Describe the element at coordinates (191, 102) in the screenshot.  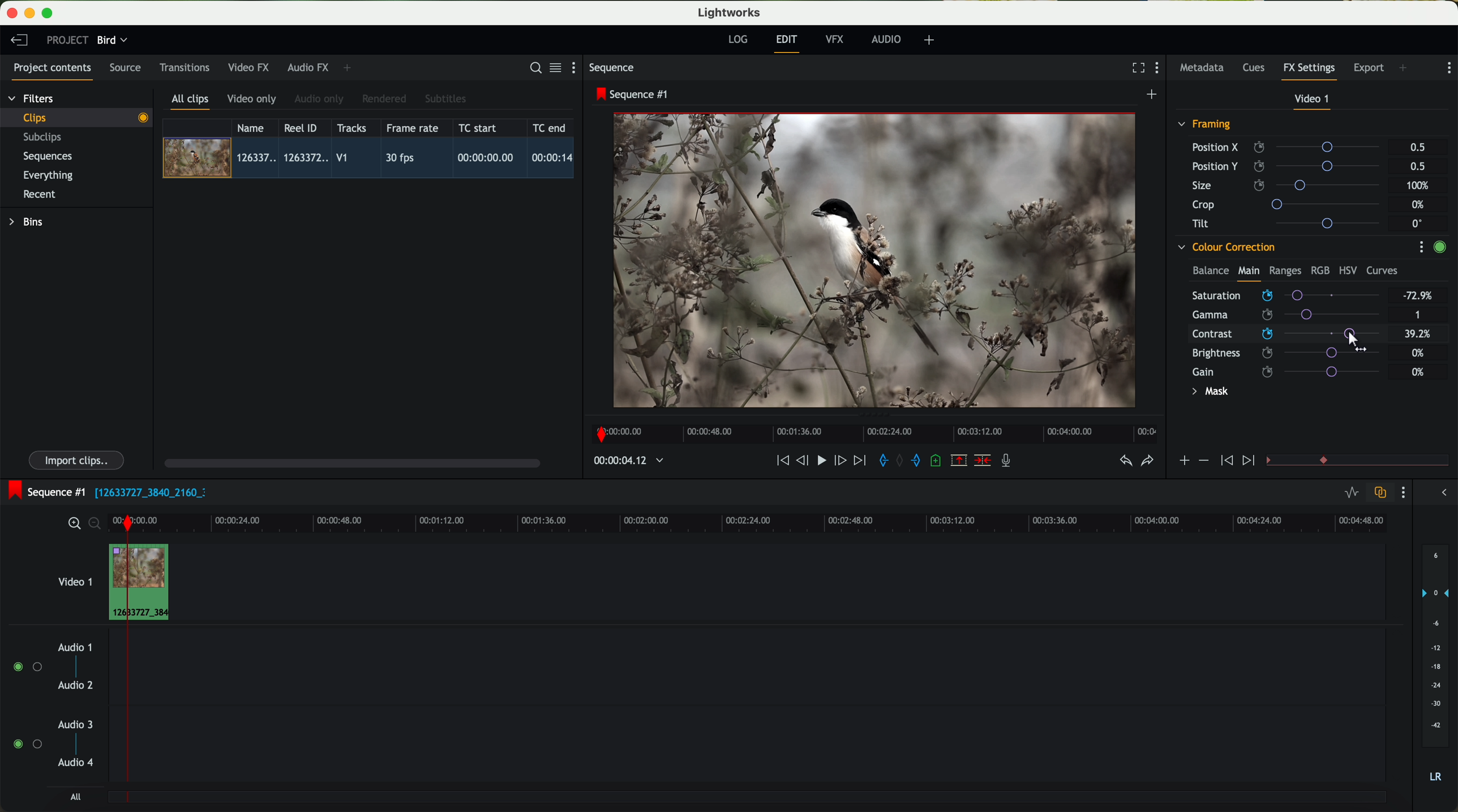
I see `all clips` at that location.